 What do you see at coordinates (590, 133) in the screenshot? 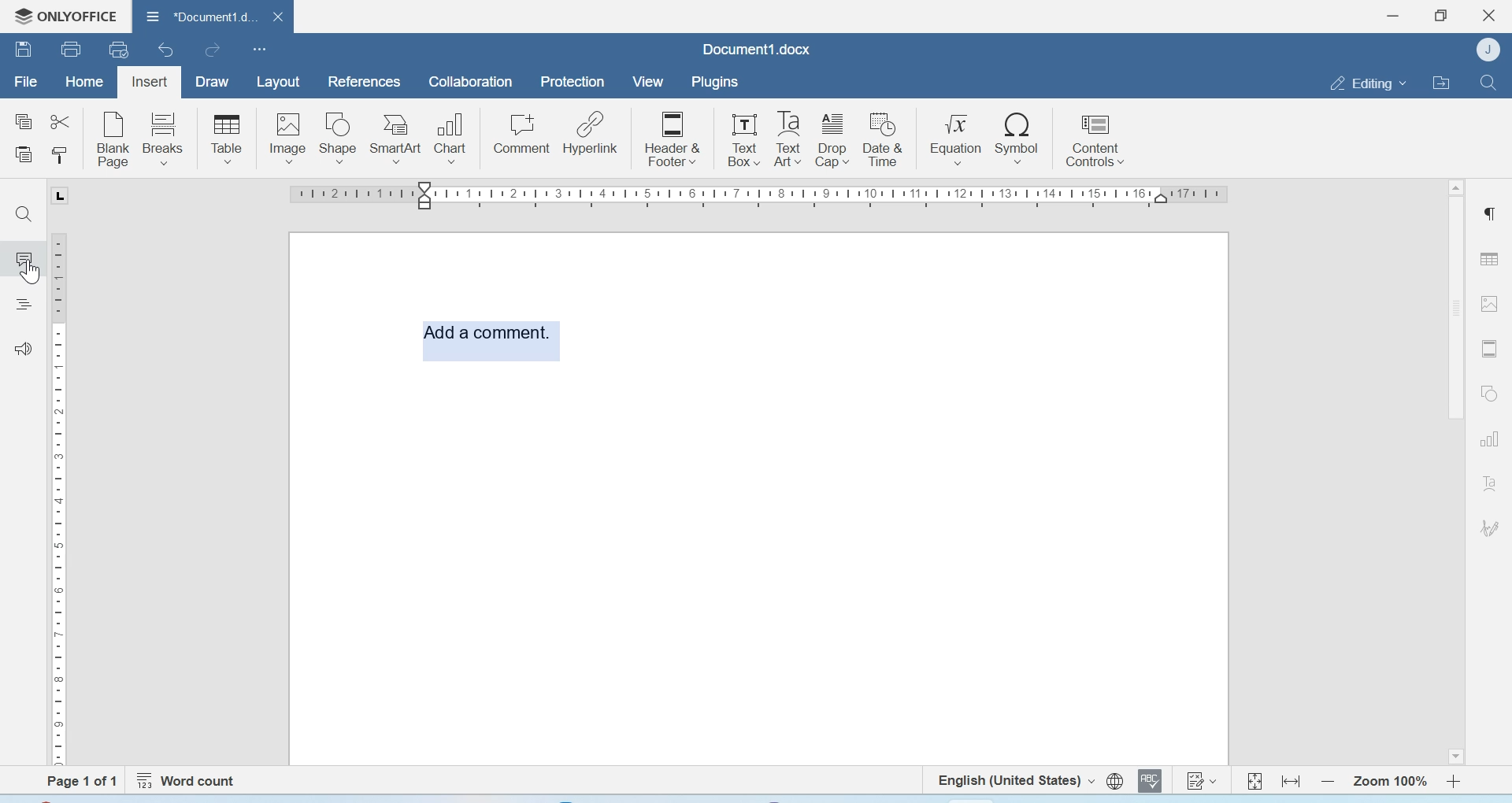
I see `Hyperlink` at bounding box center [590, 133].